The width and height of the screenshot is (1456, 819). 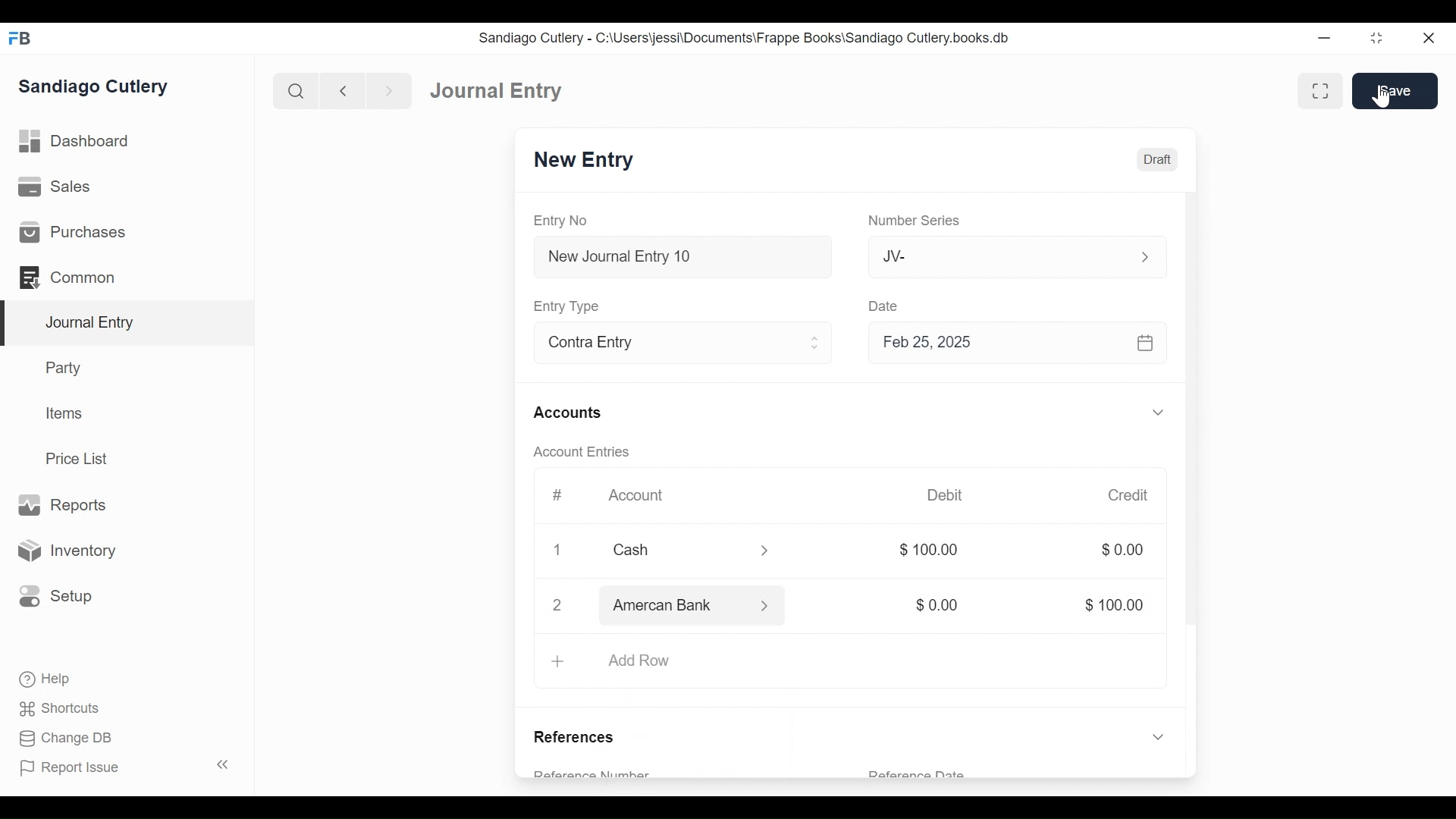 What do you see at coordinates (667, 608) in the screenshot?
I see `Amercan Bank` at bounding box center [667, 608].